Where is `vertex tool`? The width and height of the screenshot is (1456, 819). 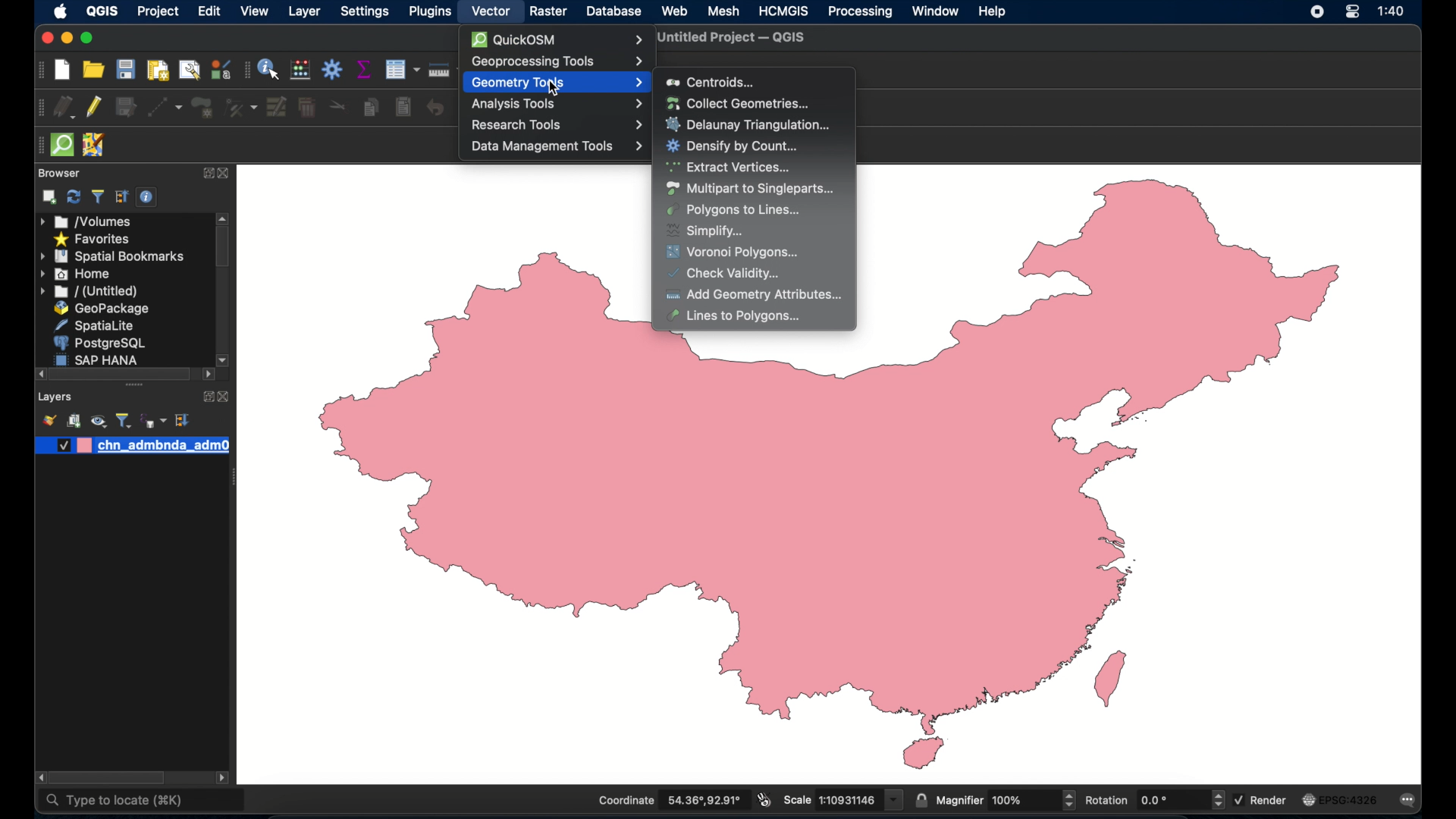 vertex tool is located at coordinates (241, 108).